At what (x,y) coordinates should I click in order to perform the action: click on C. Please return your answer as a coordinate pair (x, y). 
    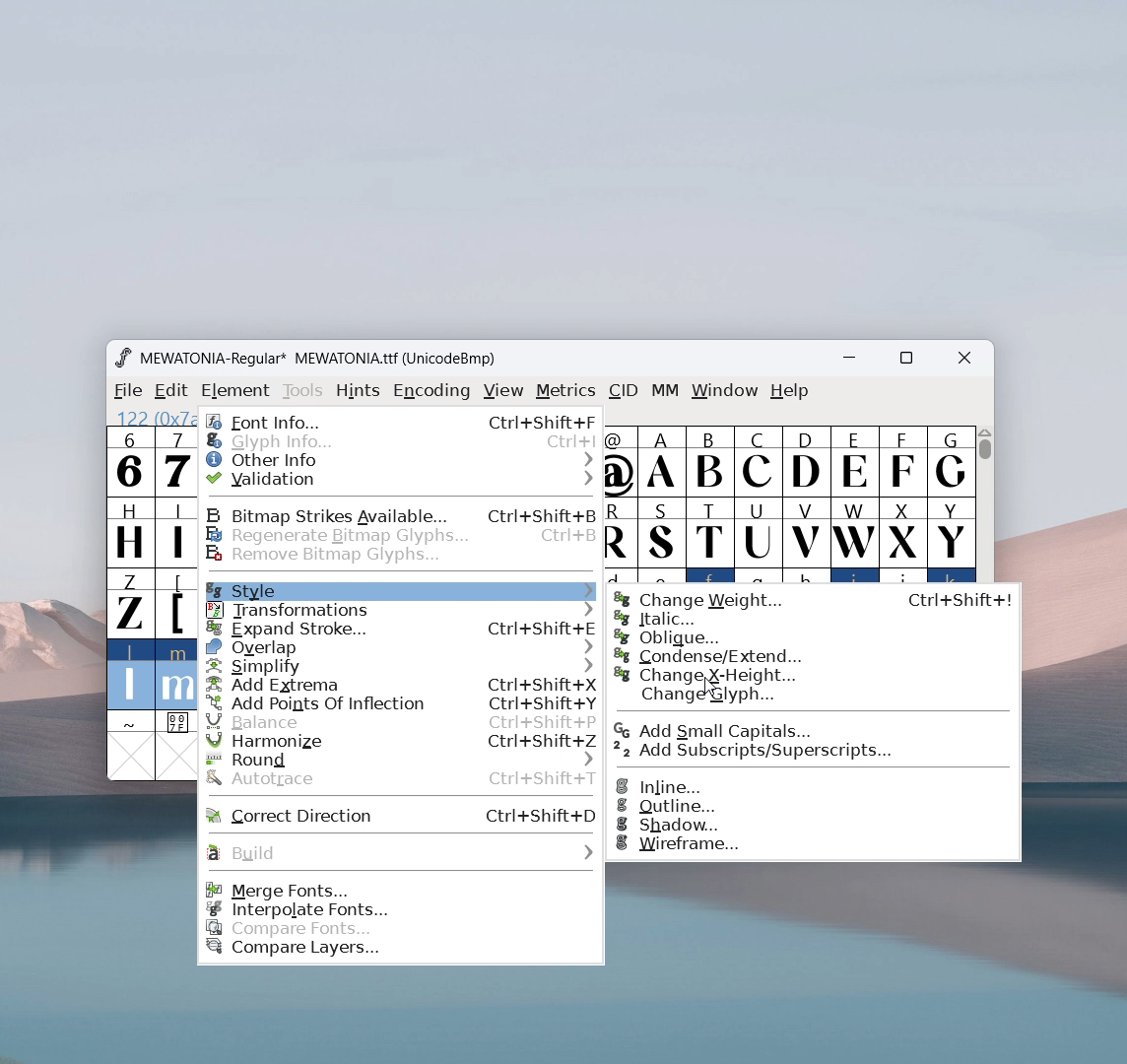
    Looking at the image, I should click on (757, 461).